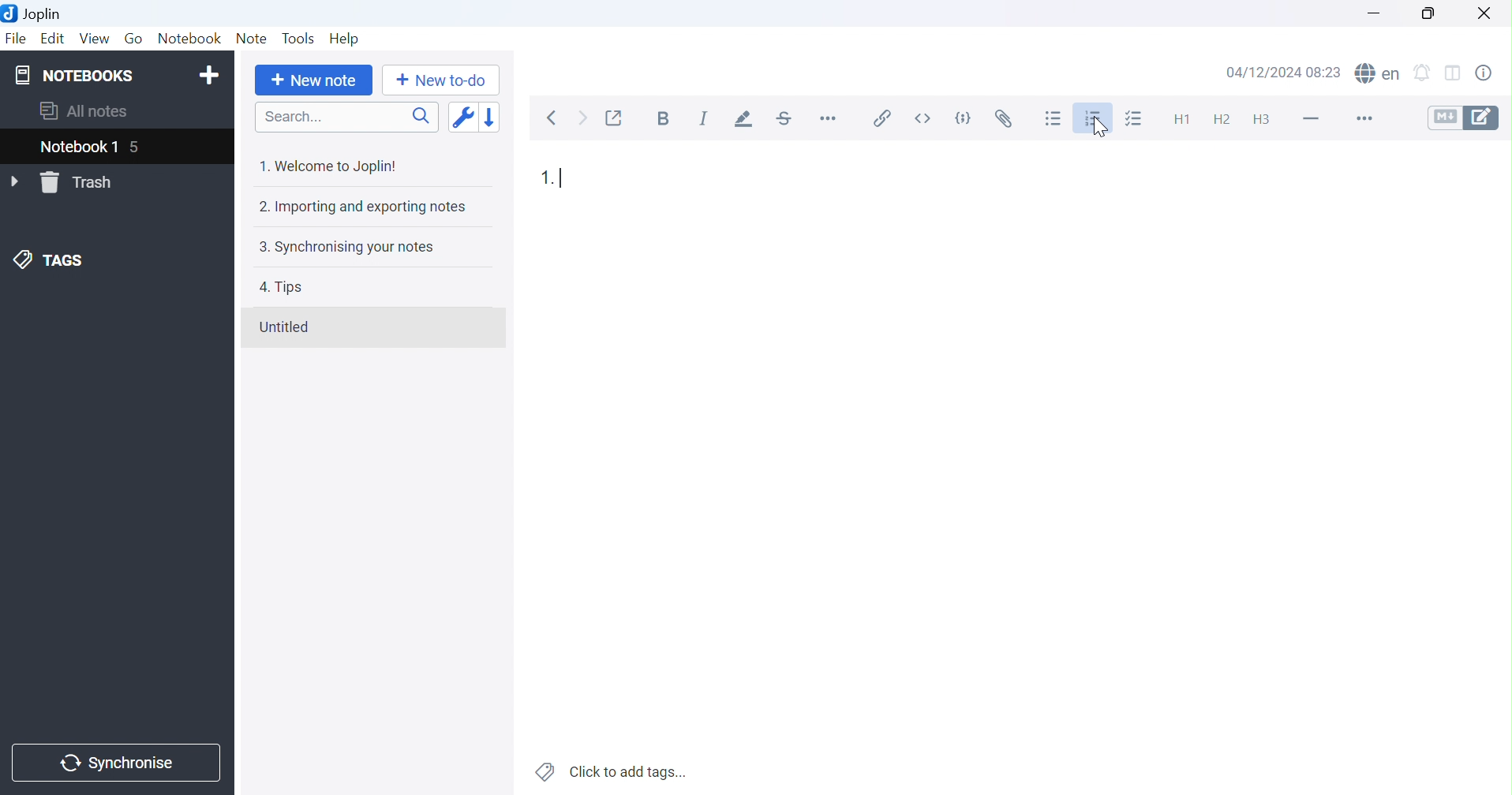 The image size is (1512, 795). What do you see at coordinates (582, 118) in the screenshot?
I see `Forward` at bounding box center [582, 118].